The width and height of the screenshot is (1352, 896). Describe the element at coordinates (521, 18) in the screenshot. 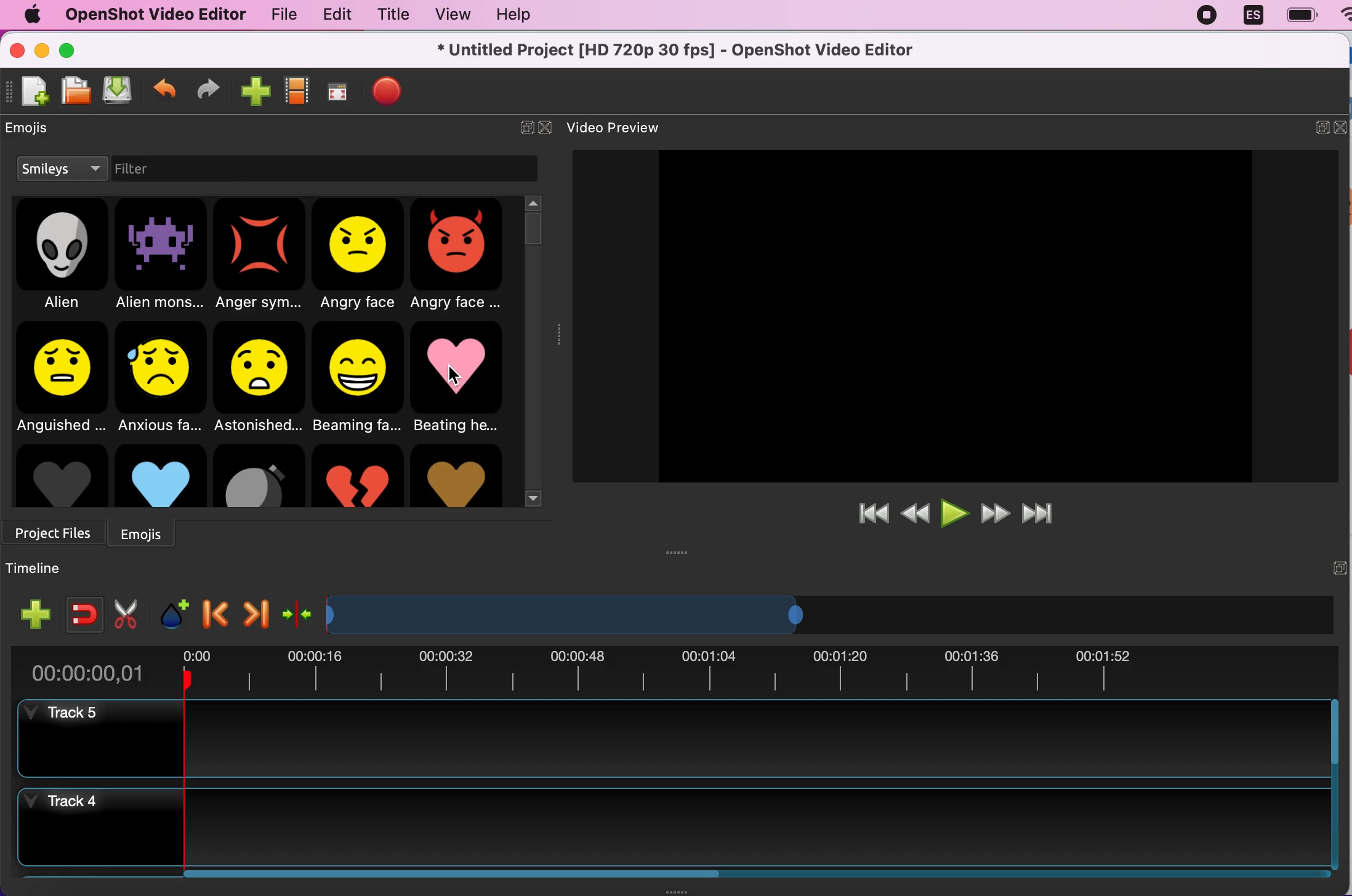

I see `help` at that location.